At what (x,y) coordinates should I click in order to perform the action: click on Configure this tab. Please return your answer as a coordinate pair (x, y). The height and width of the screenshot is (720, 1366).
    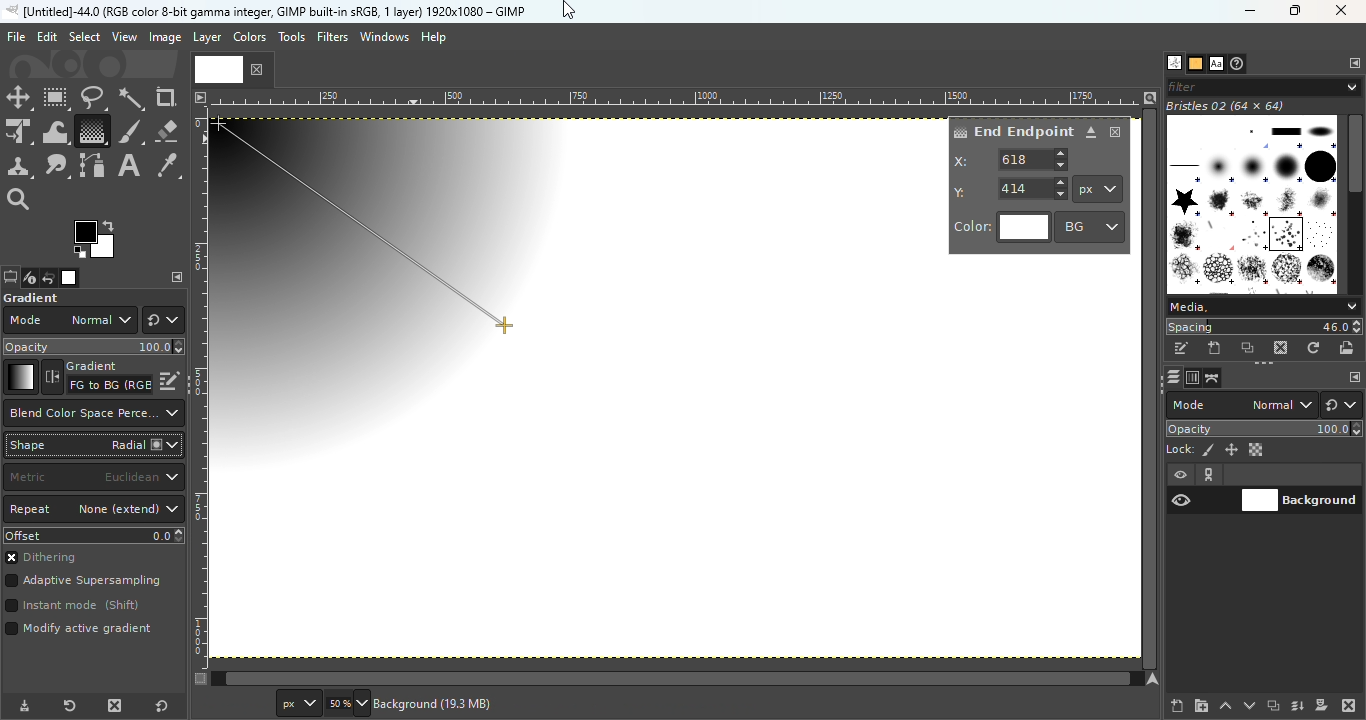
    Looking at the image, I should click on (177, 277).